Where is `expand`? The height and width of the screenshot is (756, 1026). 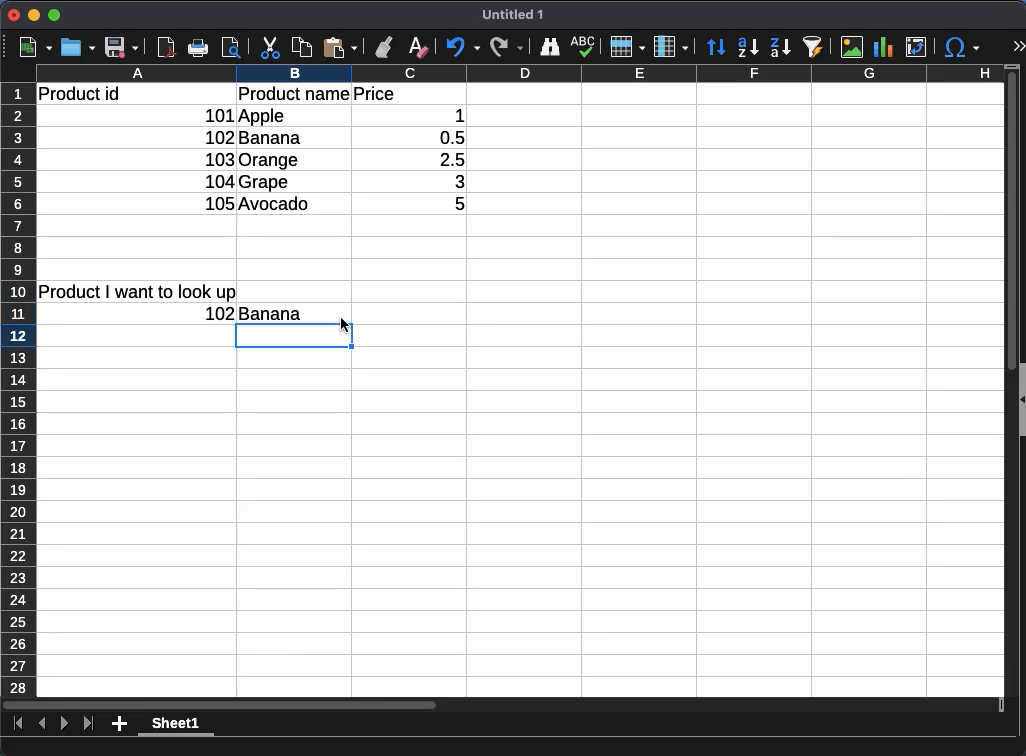
expand is located at coordinates (1018, 45).